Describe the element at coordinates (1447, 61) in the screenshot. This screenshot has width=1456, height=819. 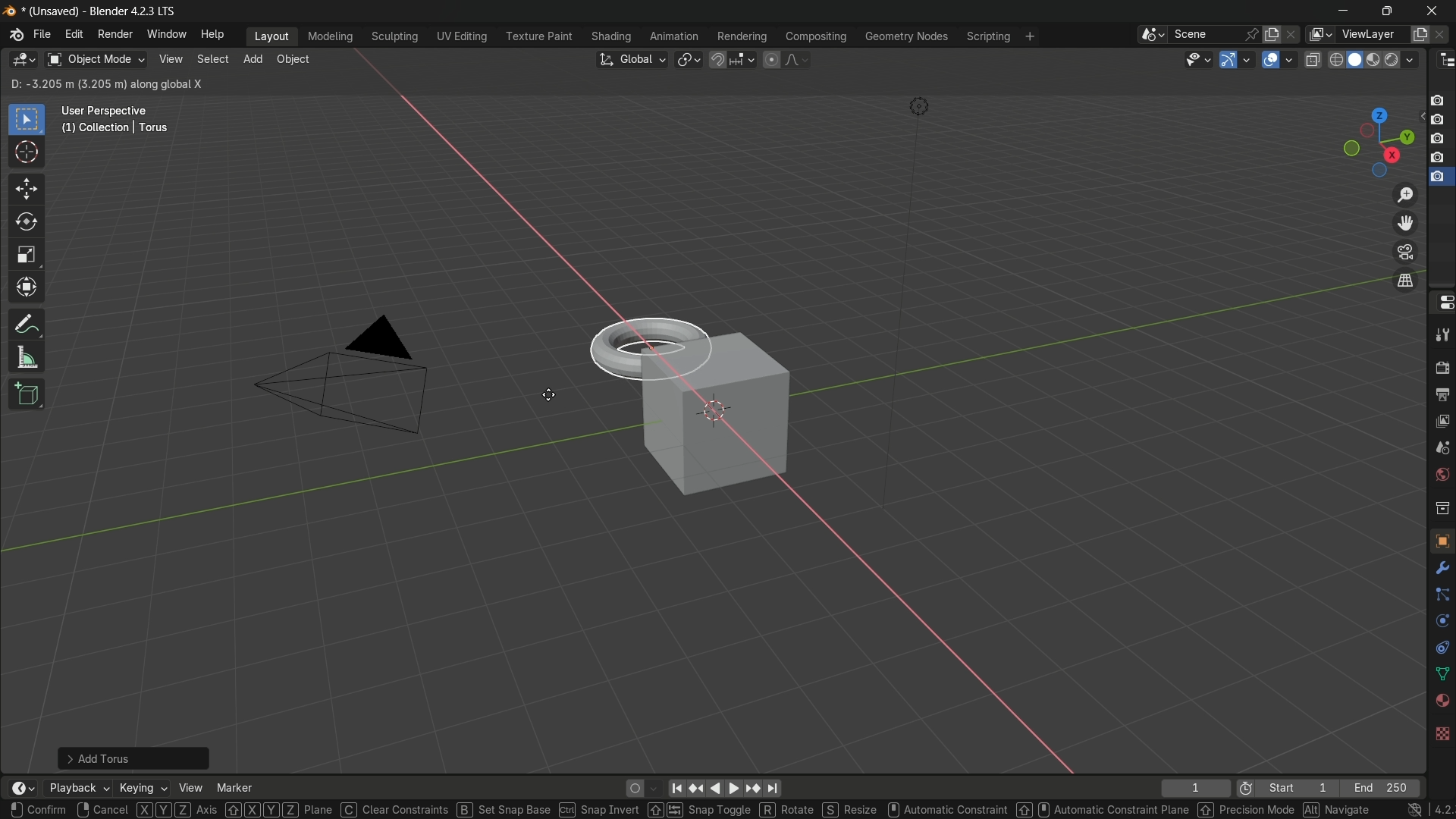
I see `outliner` at that location.